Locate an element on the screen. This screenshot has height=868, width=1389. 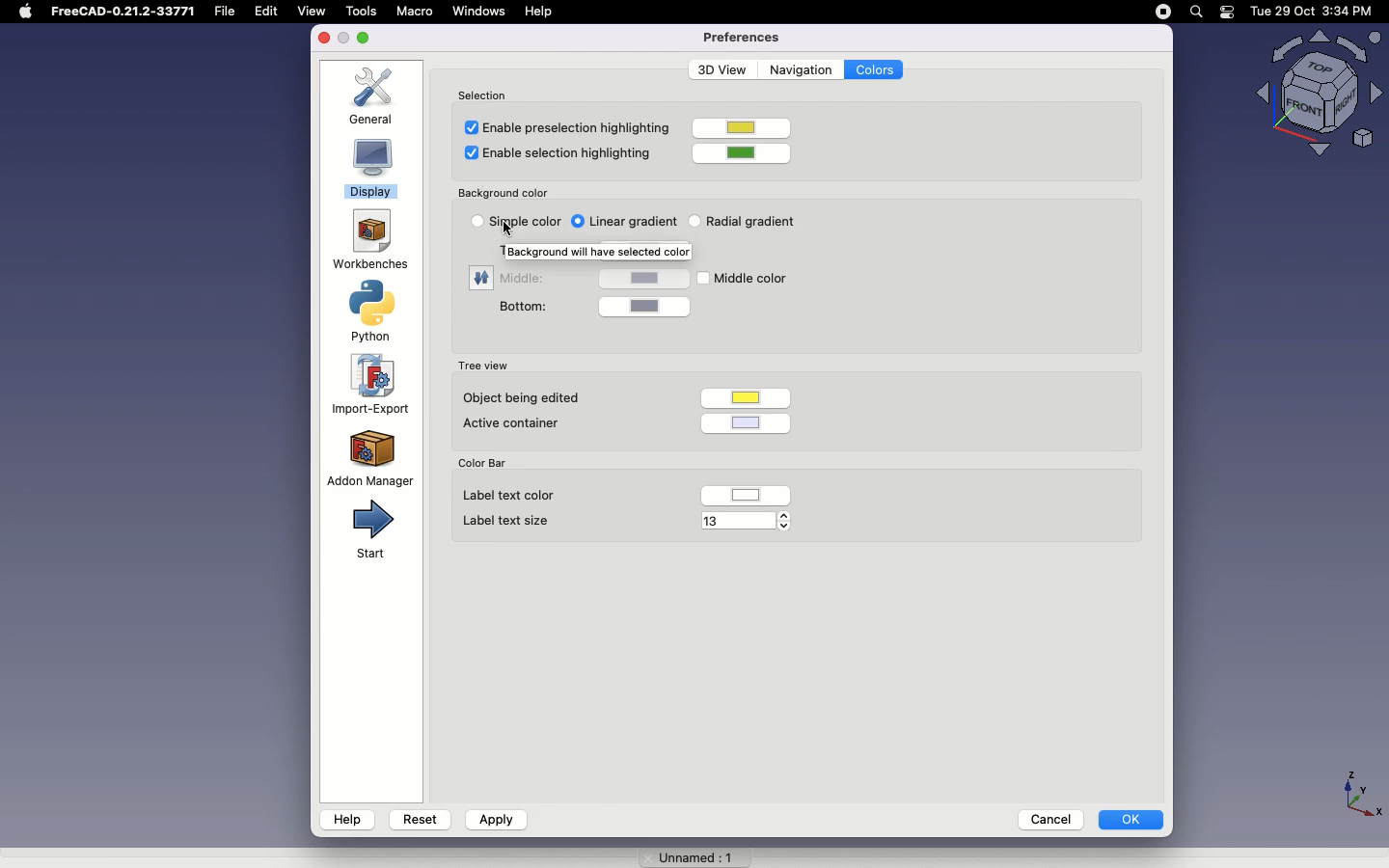
tools is located at coordinates (360, 11).